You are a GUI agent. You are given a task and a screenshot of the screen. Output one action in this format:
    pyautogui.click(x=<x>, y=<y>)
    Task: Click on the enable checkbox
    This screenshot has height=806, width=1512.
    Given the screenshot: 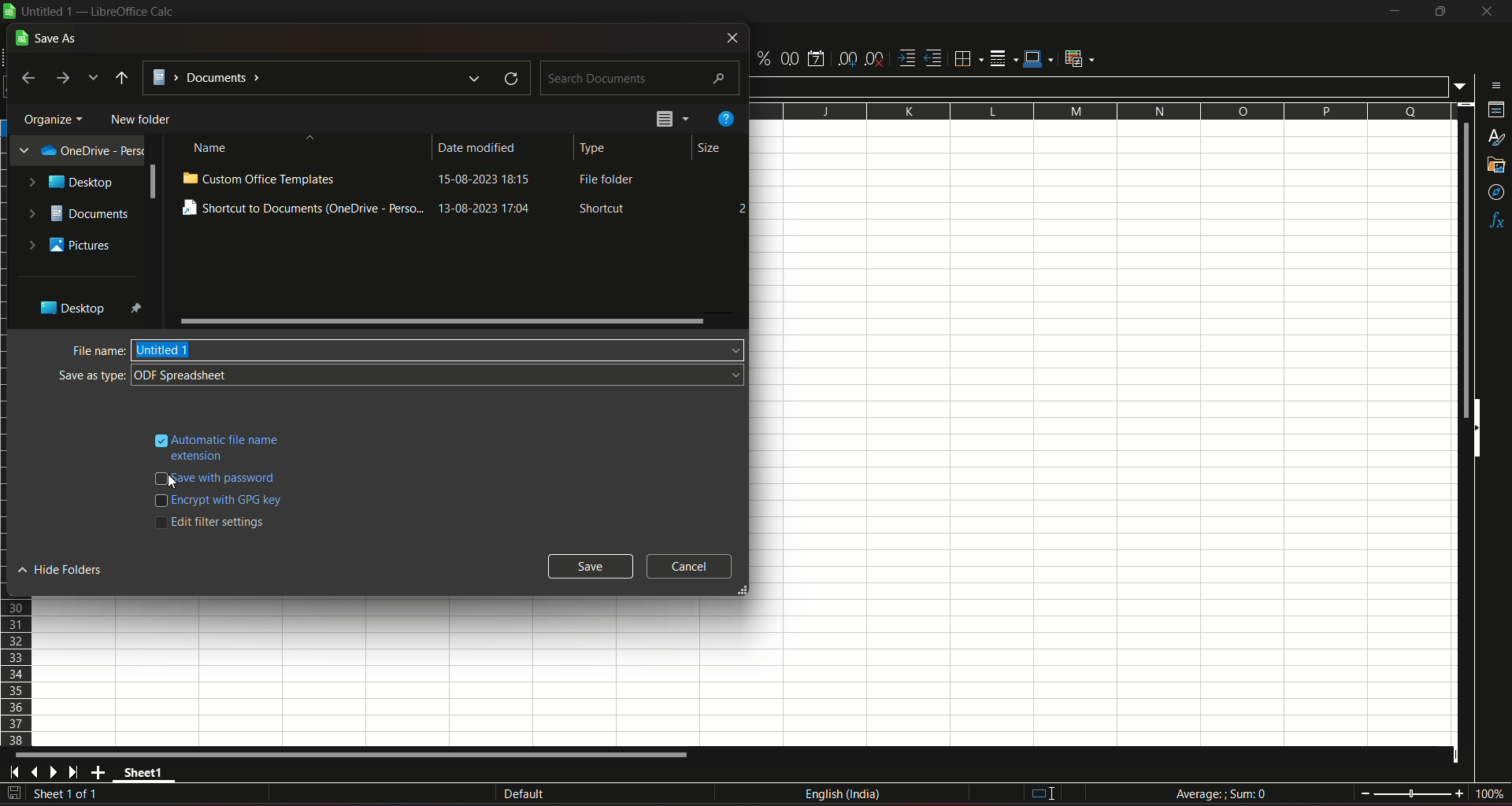 What is the action you would take?
    pyautogui.click(x=159, y=438)
    